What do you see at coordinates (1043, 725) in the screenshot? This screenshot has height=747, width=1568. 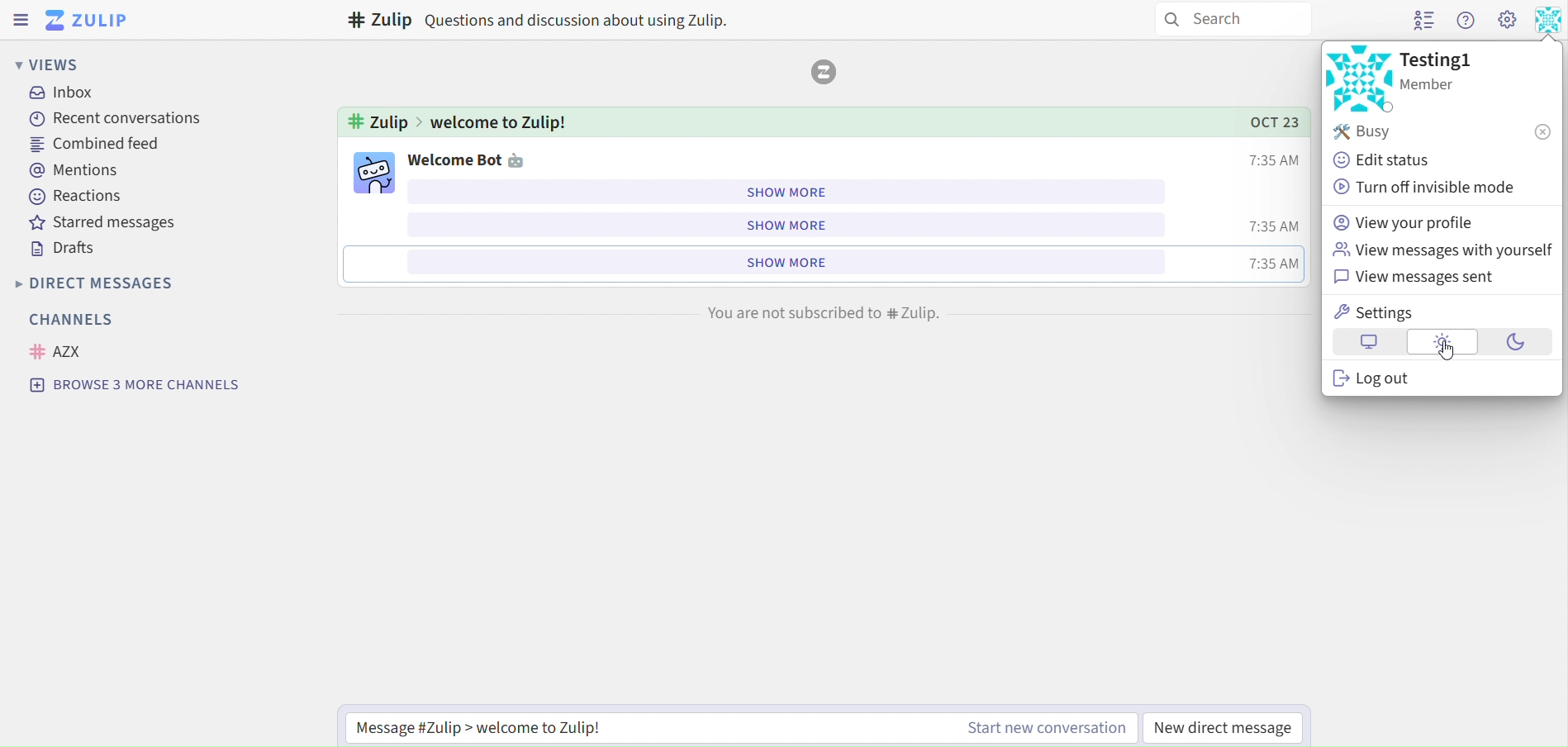 I see `Start new conversation` at bounding box center [1043, 725].